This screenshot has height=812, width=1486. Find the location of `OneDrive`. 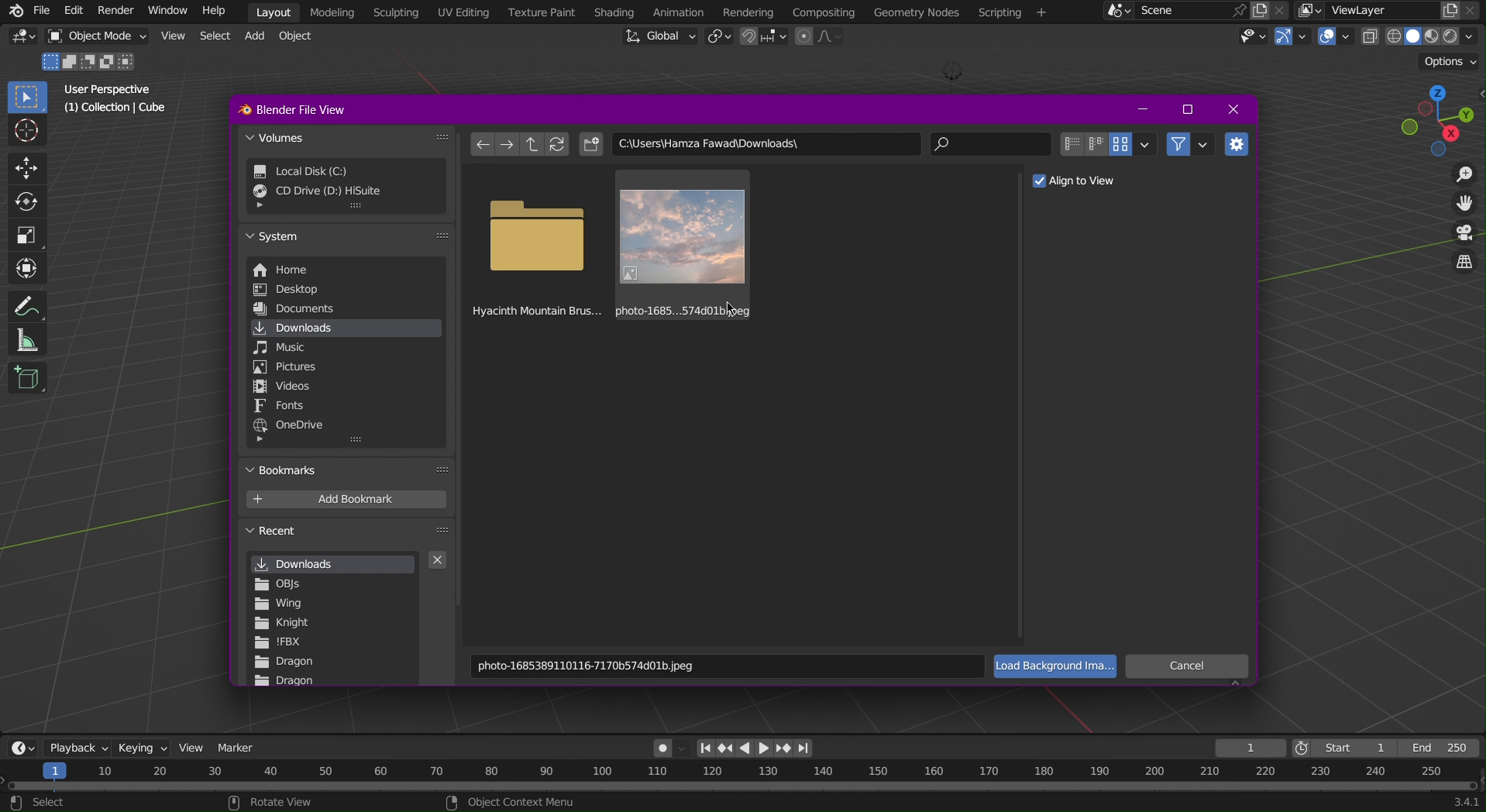

OneDrive is located at coordinates (291, 425).